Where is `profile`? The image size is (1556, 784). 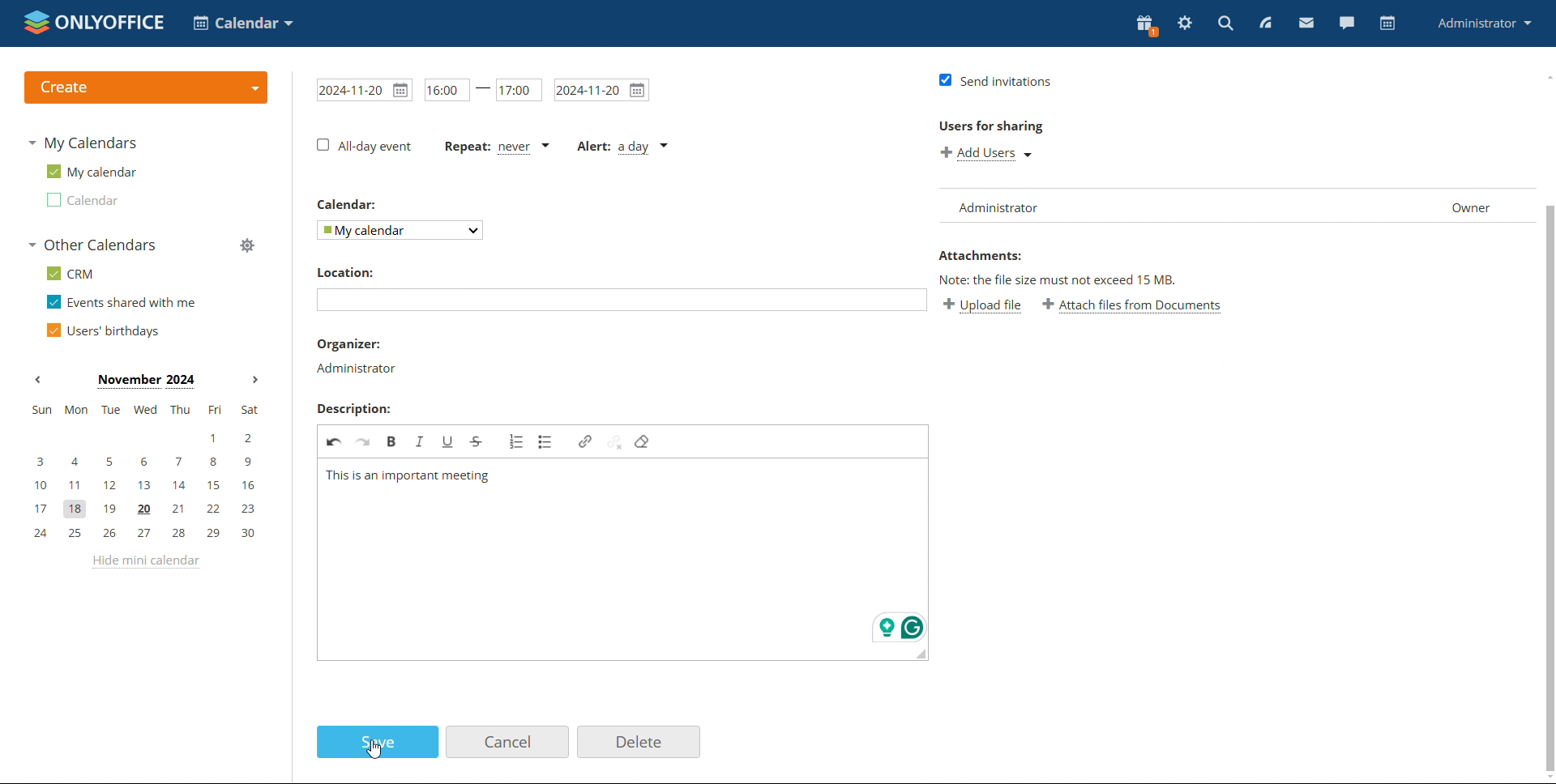 profile is located at coordinates (1483, 23).